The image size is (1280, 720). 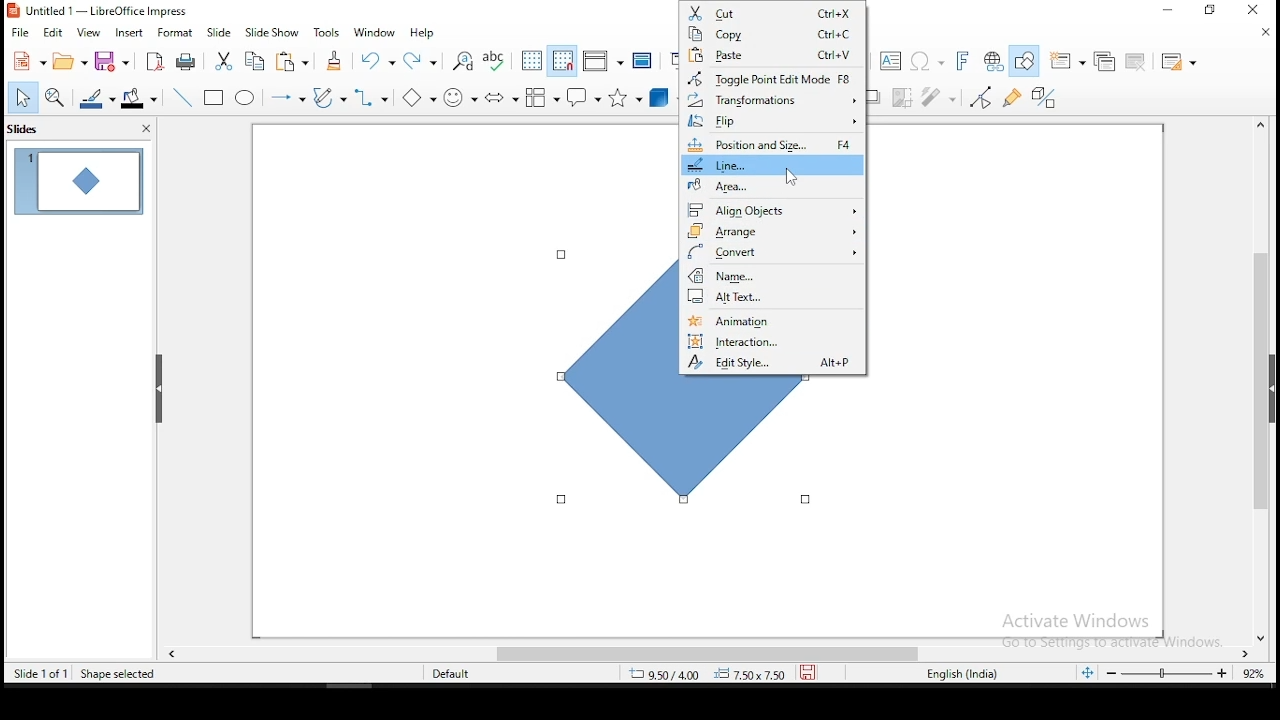 What do you see at coordinates (773, 55) in the screenshot?
I see `paste` at bounding box center [773, 55].